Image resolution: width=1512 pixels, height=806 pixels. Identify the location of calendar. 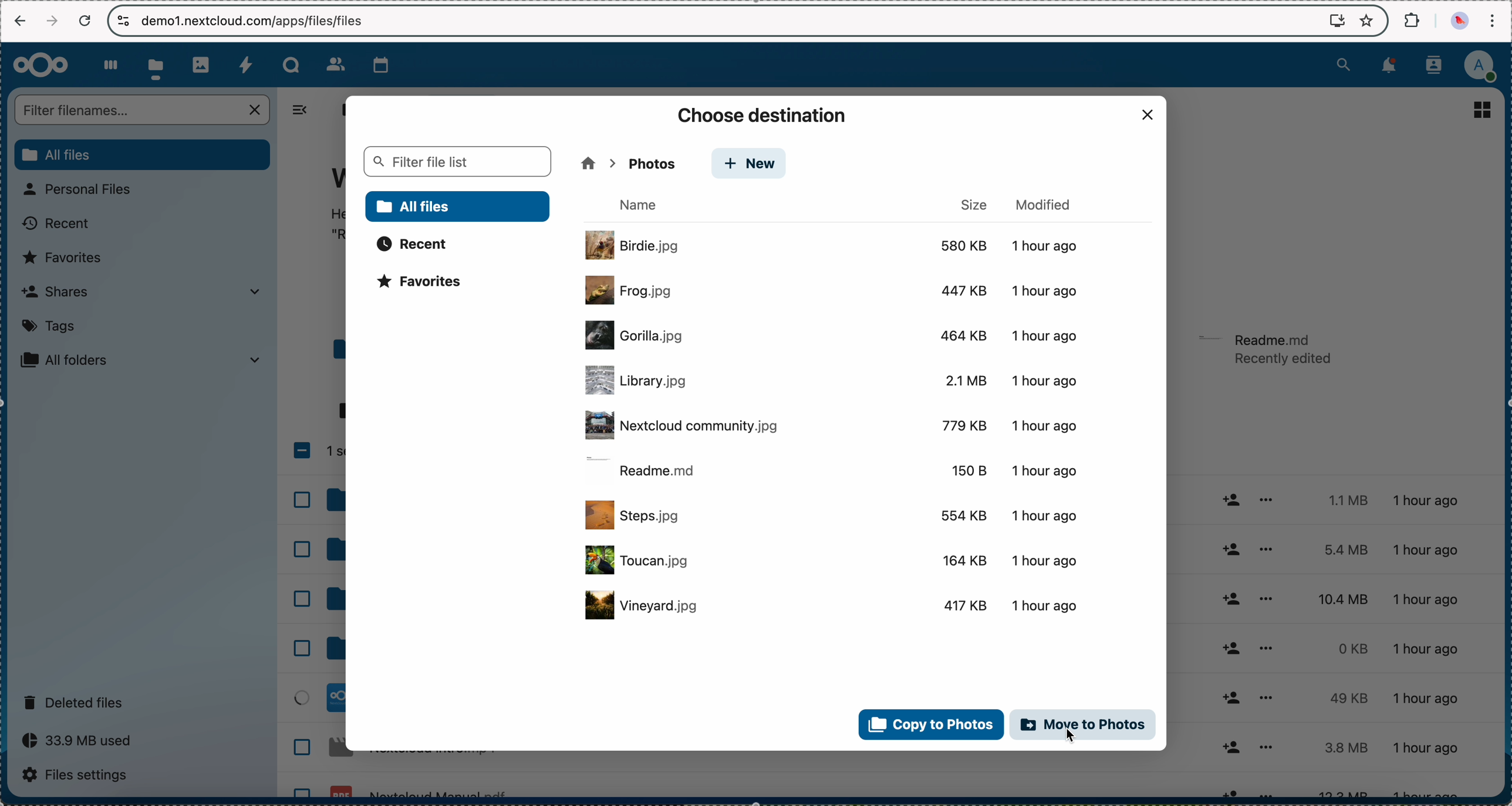
(376, 64).